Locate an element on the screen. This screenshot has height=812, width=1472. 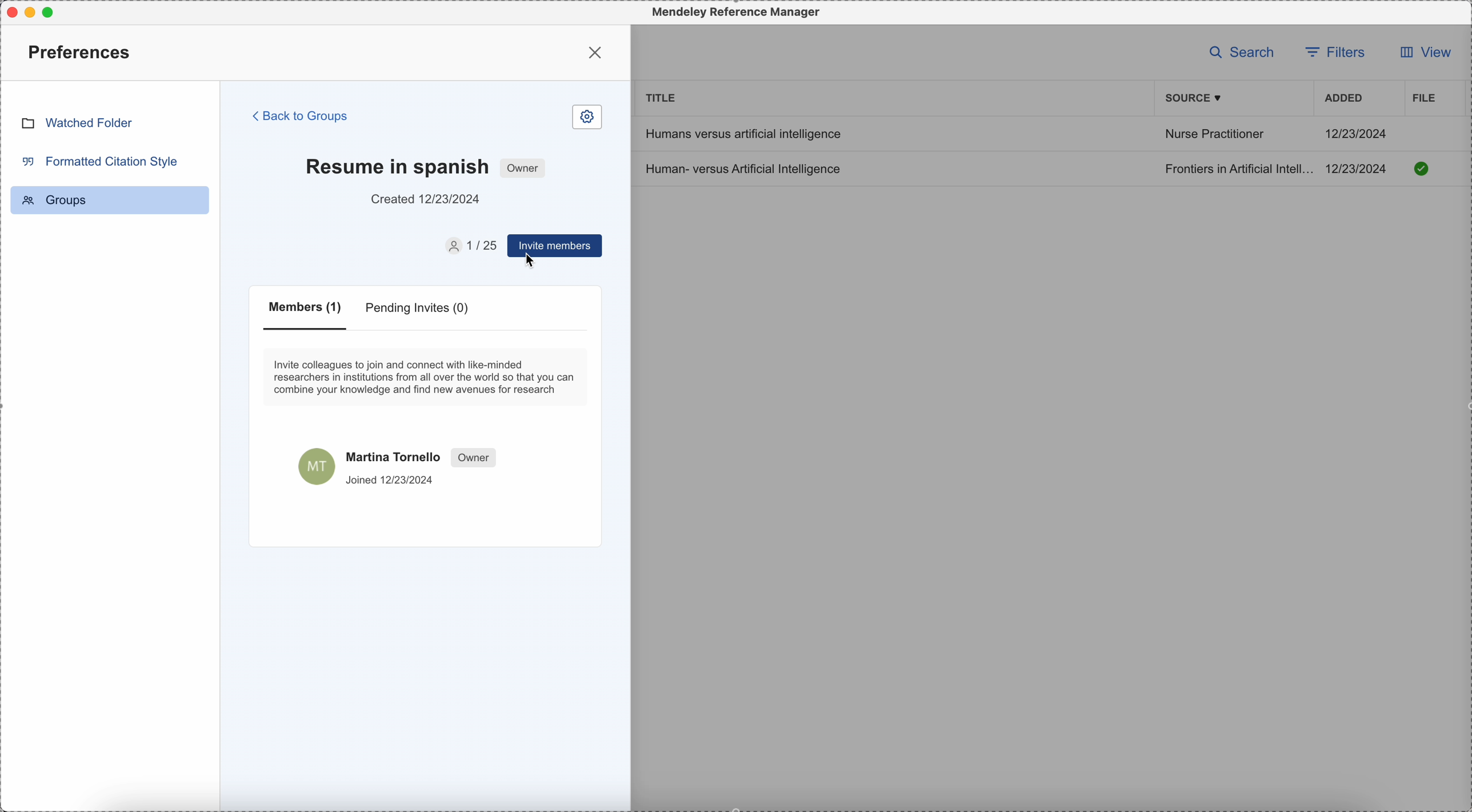
close pop-up is located at coordinates (597, 52).